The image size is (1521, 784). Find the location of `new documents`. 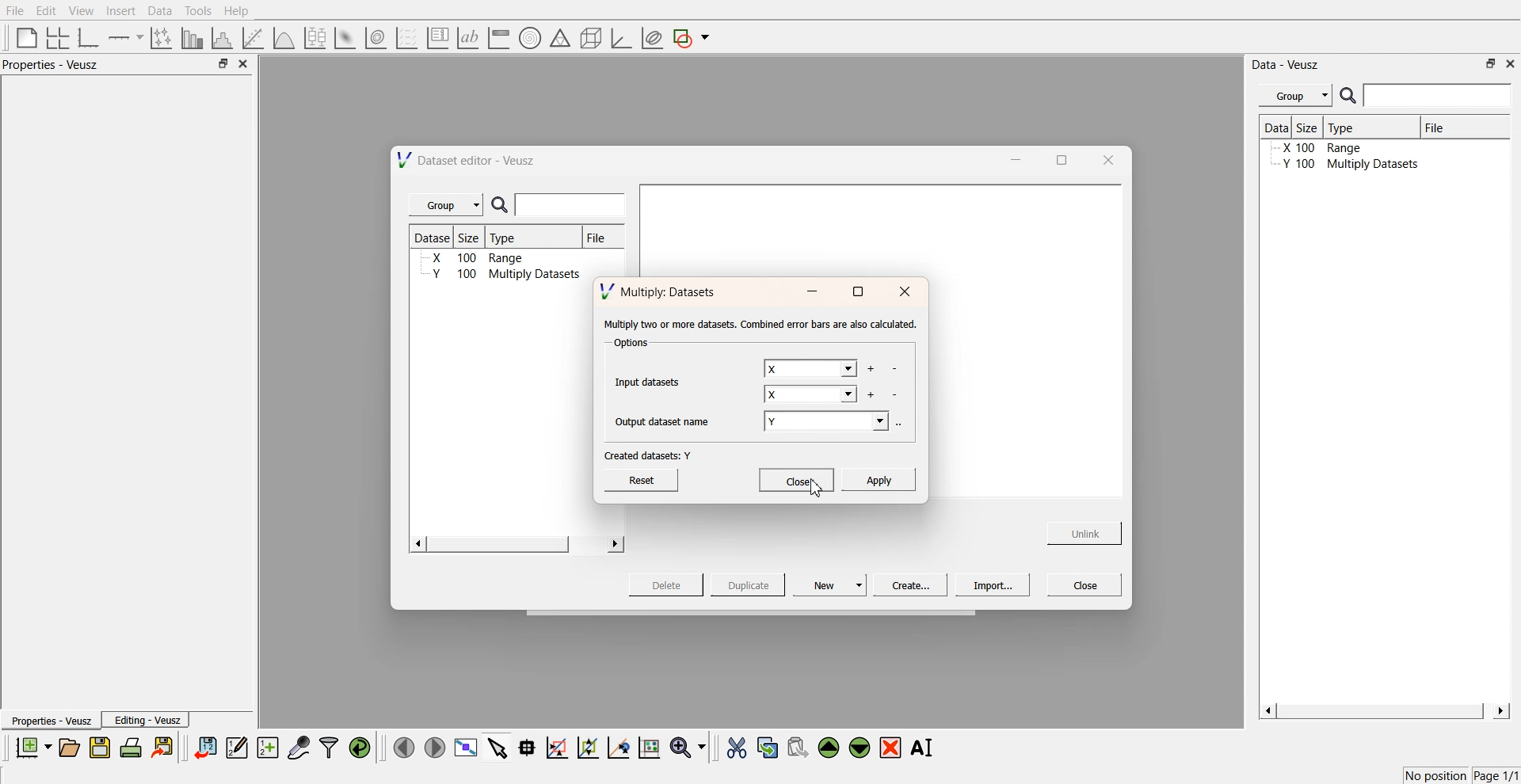

new documents is located at coordinates (32, 747).